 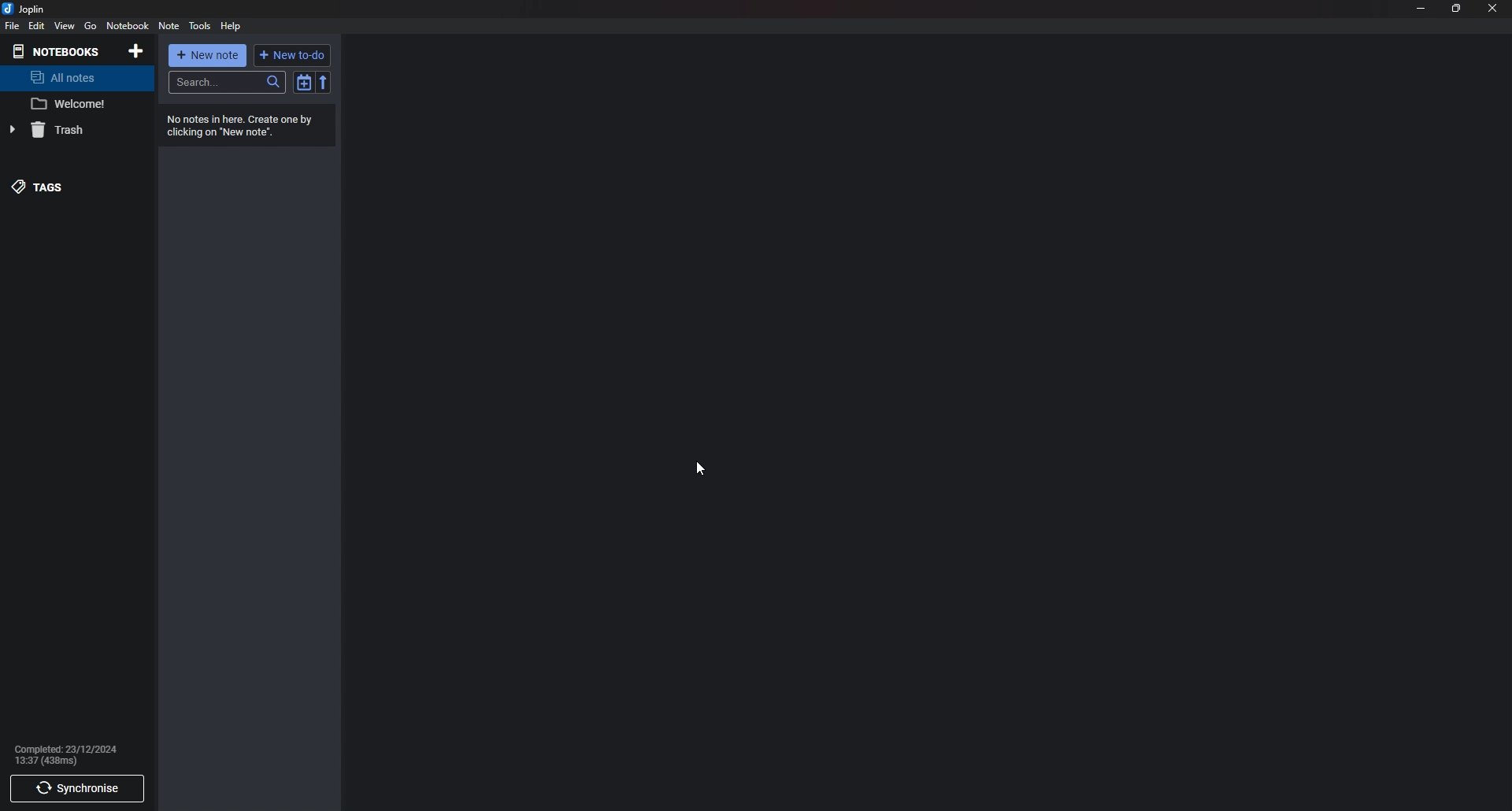 What do you see at coordinates (71, 752) in the screenshot?
I see `‘Completed: 23/12/2024
13:37 (438ms)` at bounding box center [71, 752].